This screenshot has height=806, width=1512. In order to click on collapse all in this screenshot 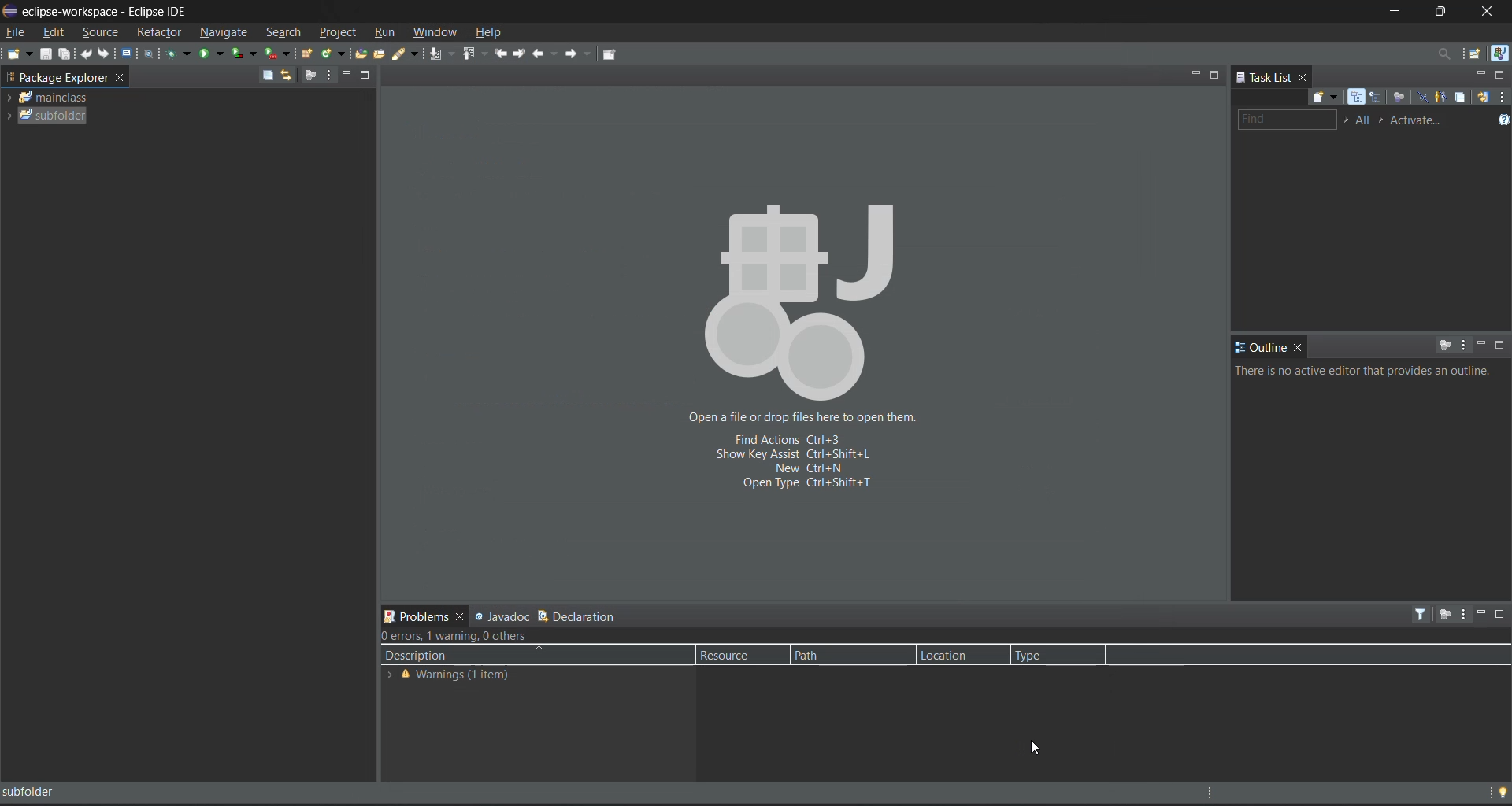, I will do `click(267, 76)`.